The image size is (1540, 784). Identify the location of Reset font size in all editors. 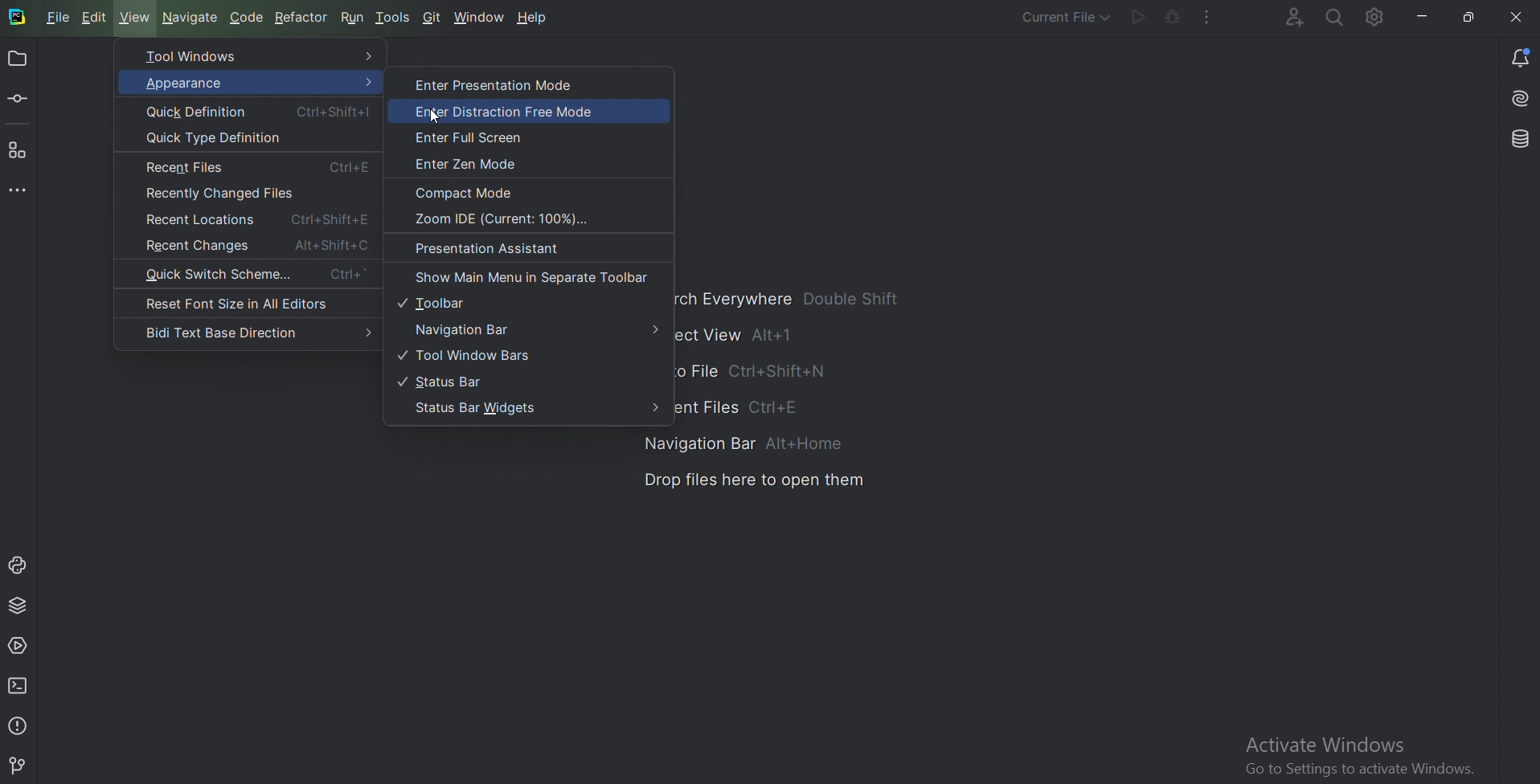
(248, 302).